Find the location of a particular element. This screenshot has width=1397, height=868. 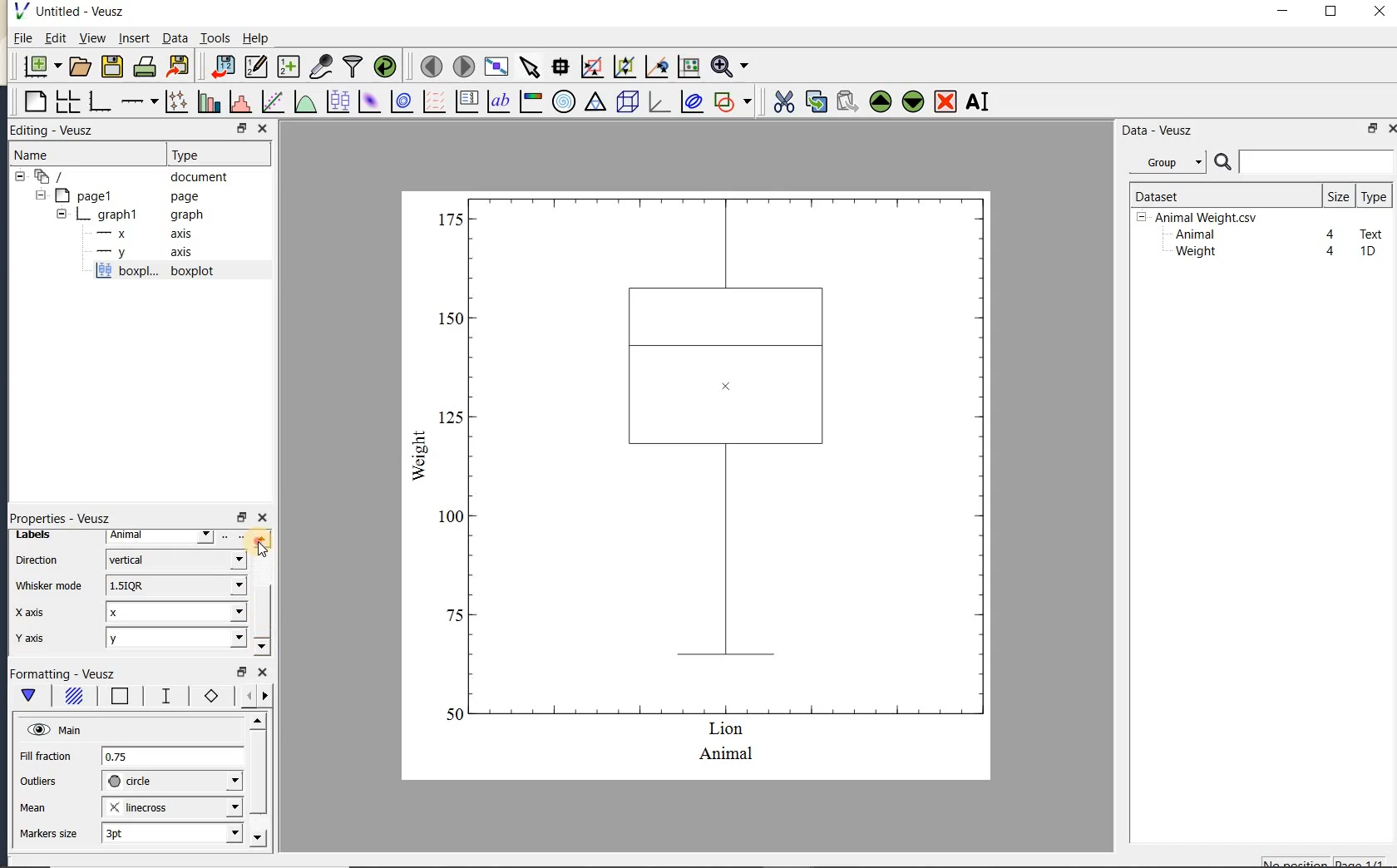

Data is located at coordinates (175, 37).